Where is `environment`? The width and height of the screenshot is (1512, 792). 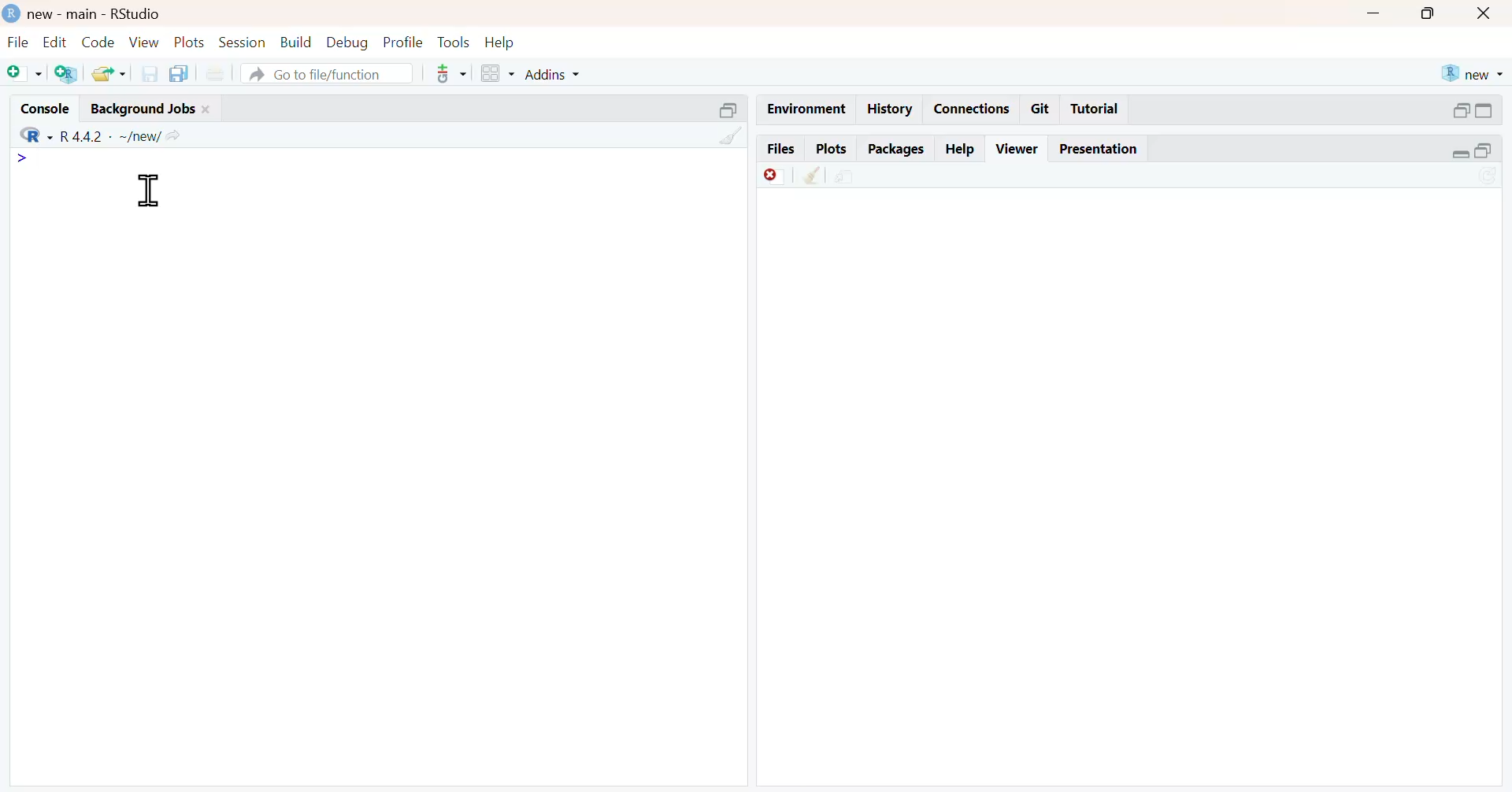 environment is located at coordinates (803, 108).